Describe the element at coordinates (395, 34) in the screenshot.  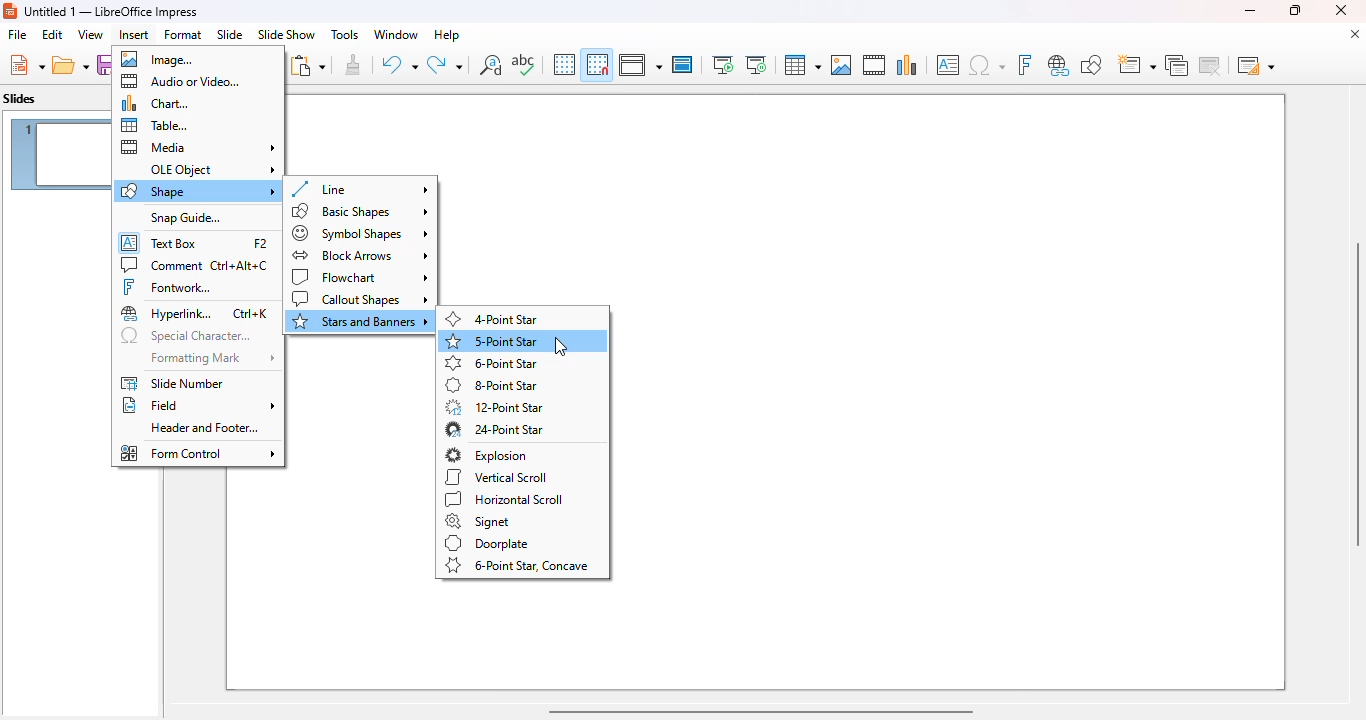
I see `window` at that location.